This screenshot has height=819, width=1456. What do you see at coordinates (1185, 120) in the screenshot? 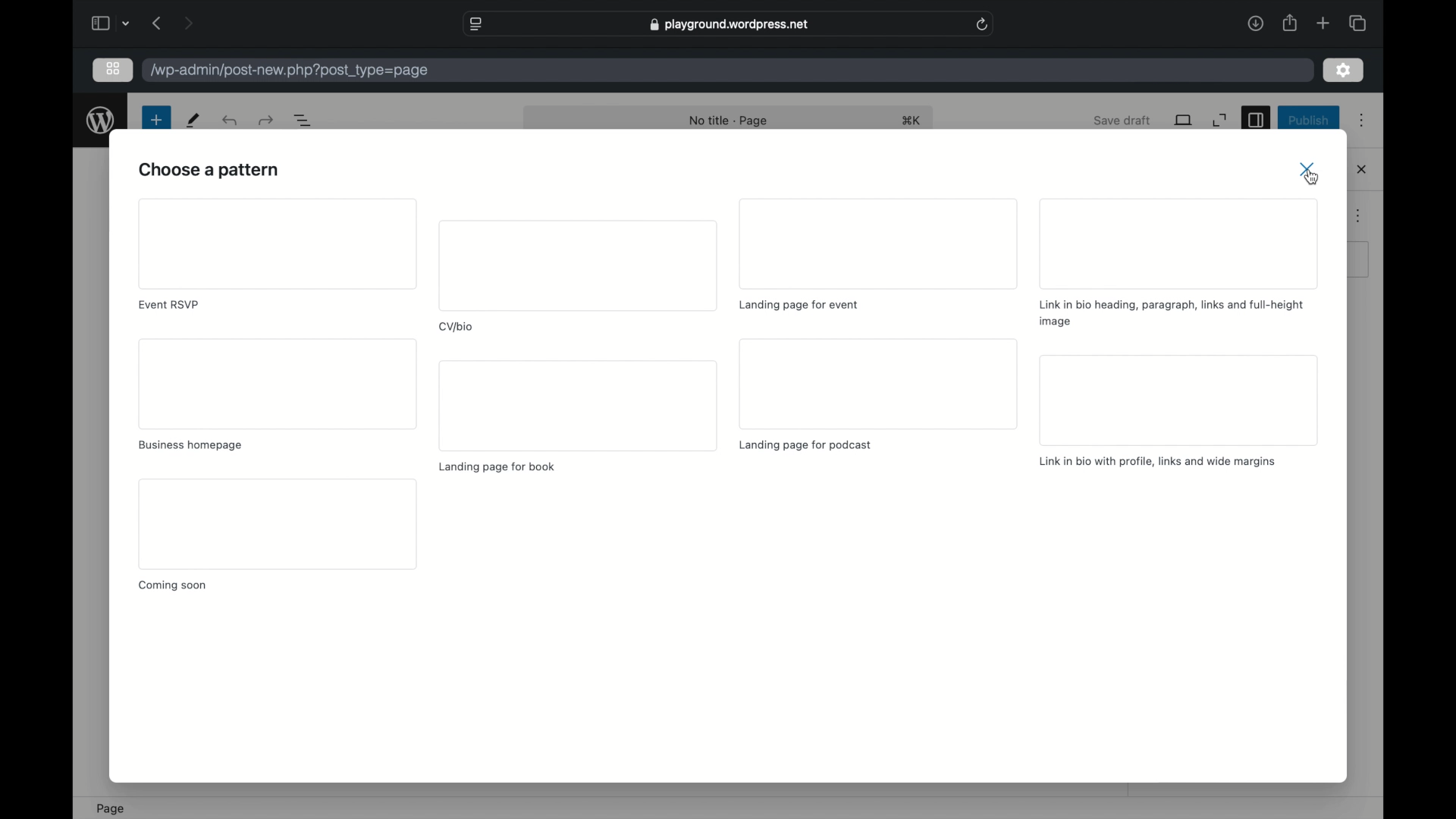
I see `view` at bounding box center [1185, 120].